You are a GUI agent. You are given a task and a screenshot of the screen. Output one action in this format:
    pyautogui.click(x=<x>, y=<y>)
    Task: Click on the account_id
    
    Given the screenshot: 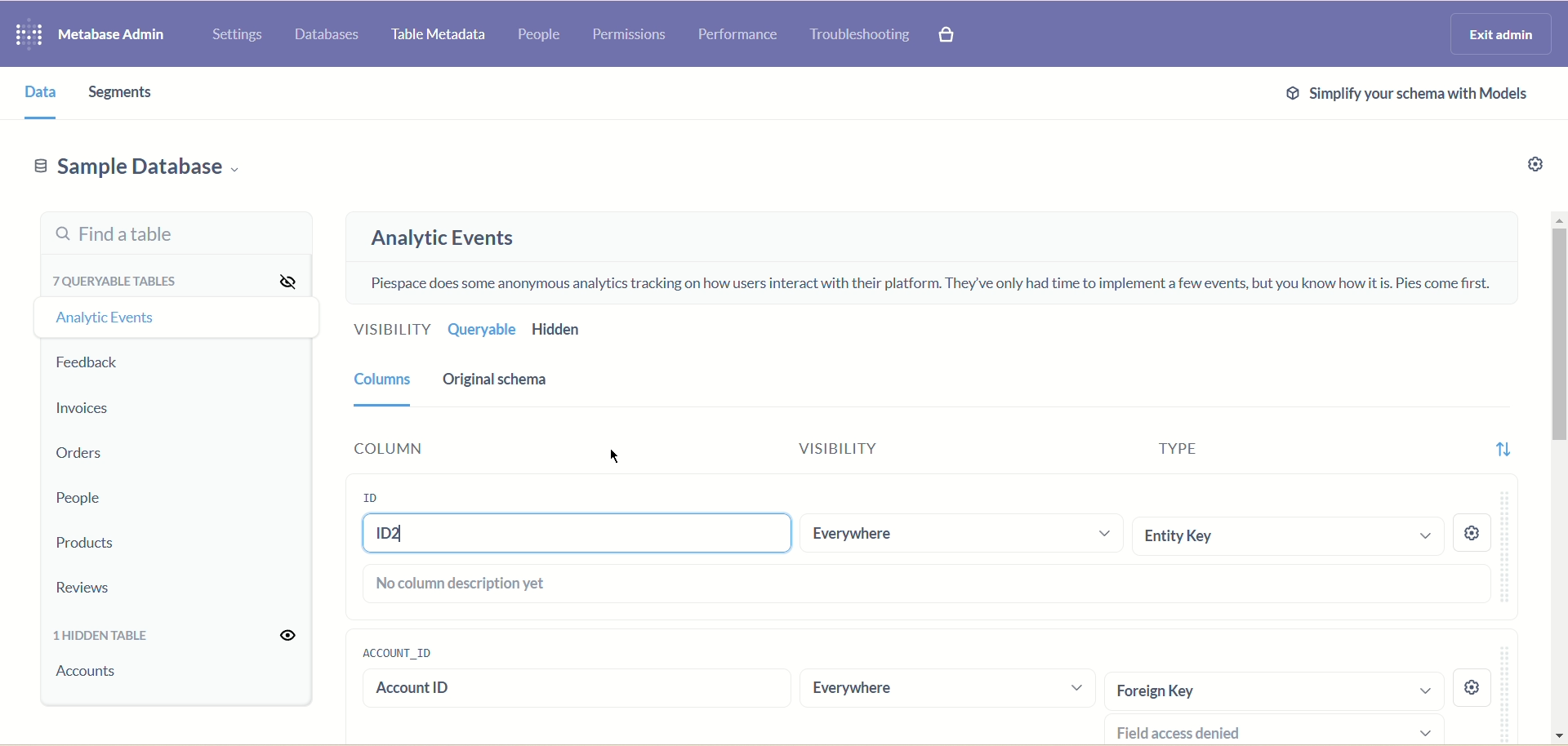 What is the action you would take?
    pyautogui.click(x=394, y=651)
    